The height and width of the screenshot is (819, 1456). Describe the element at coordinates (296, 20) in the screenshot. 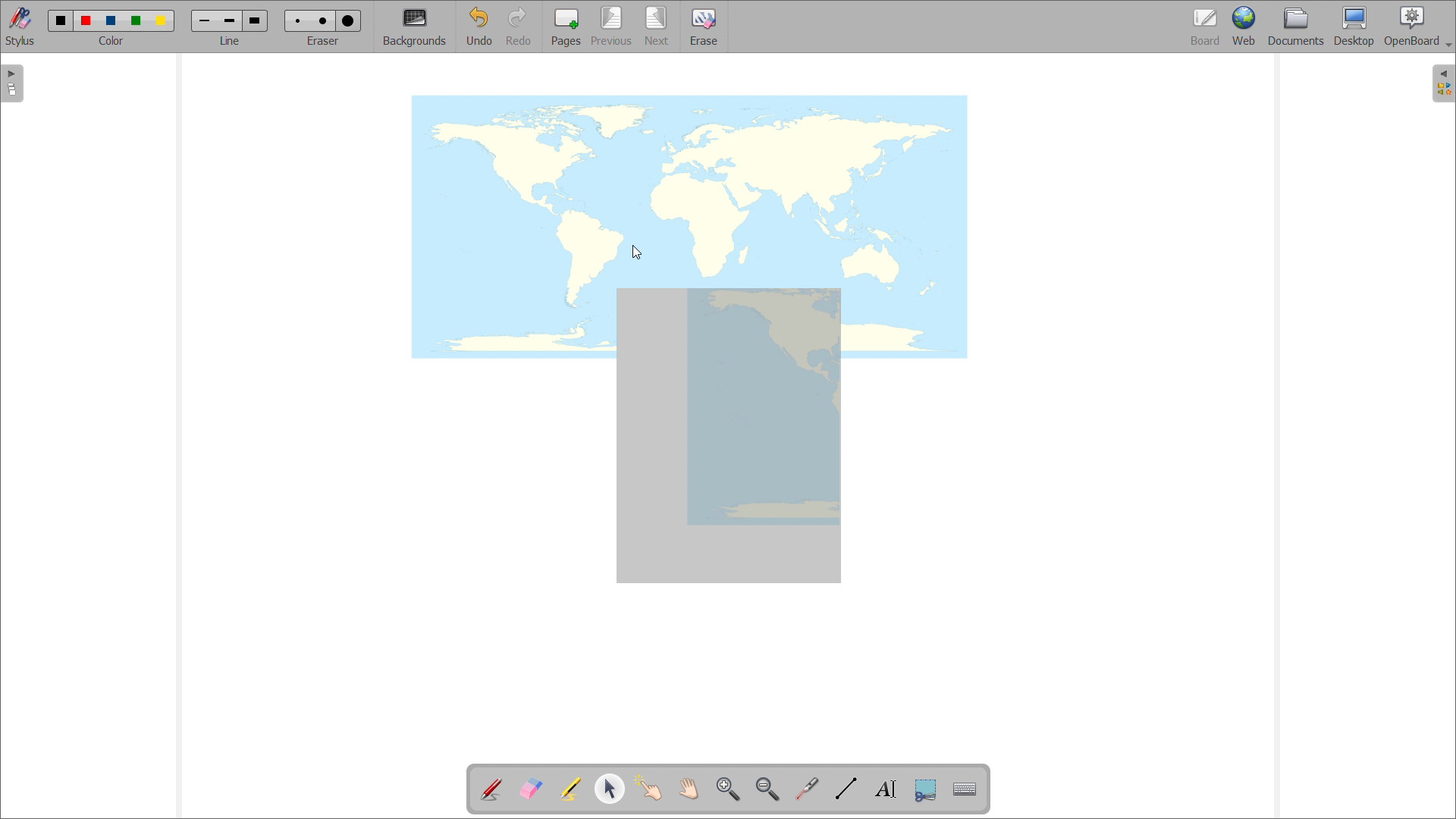

I see `small` at that location.